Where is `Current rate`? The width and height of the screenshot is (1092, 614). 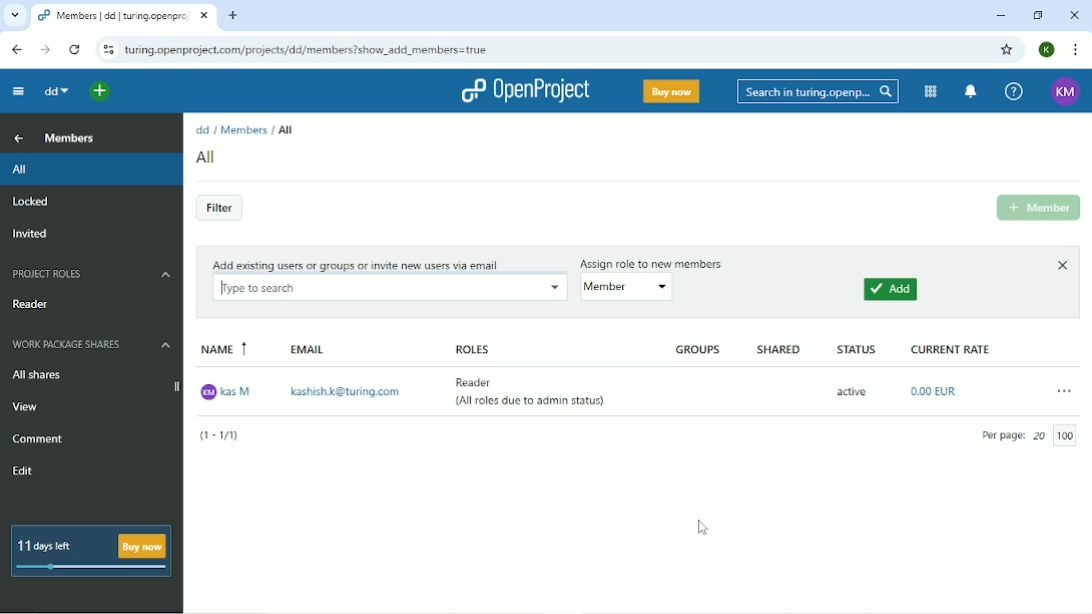 Current rate is located at coordinates (952, 348).